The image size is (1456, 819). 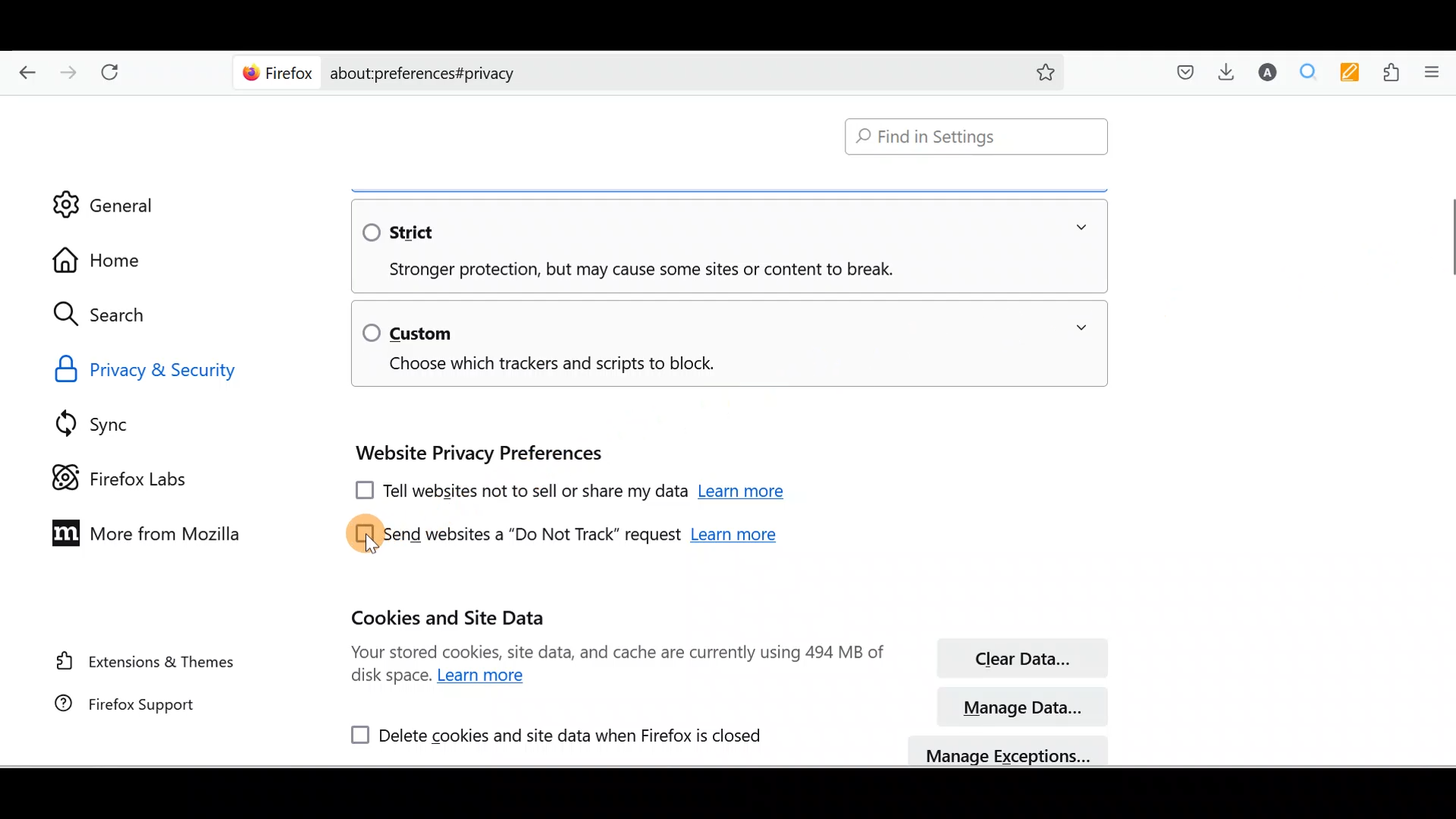 I want to click on Reload current page, so click(x=112, y=67).